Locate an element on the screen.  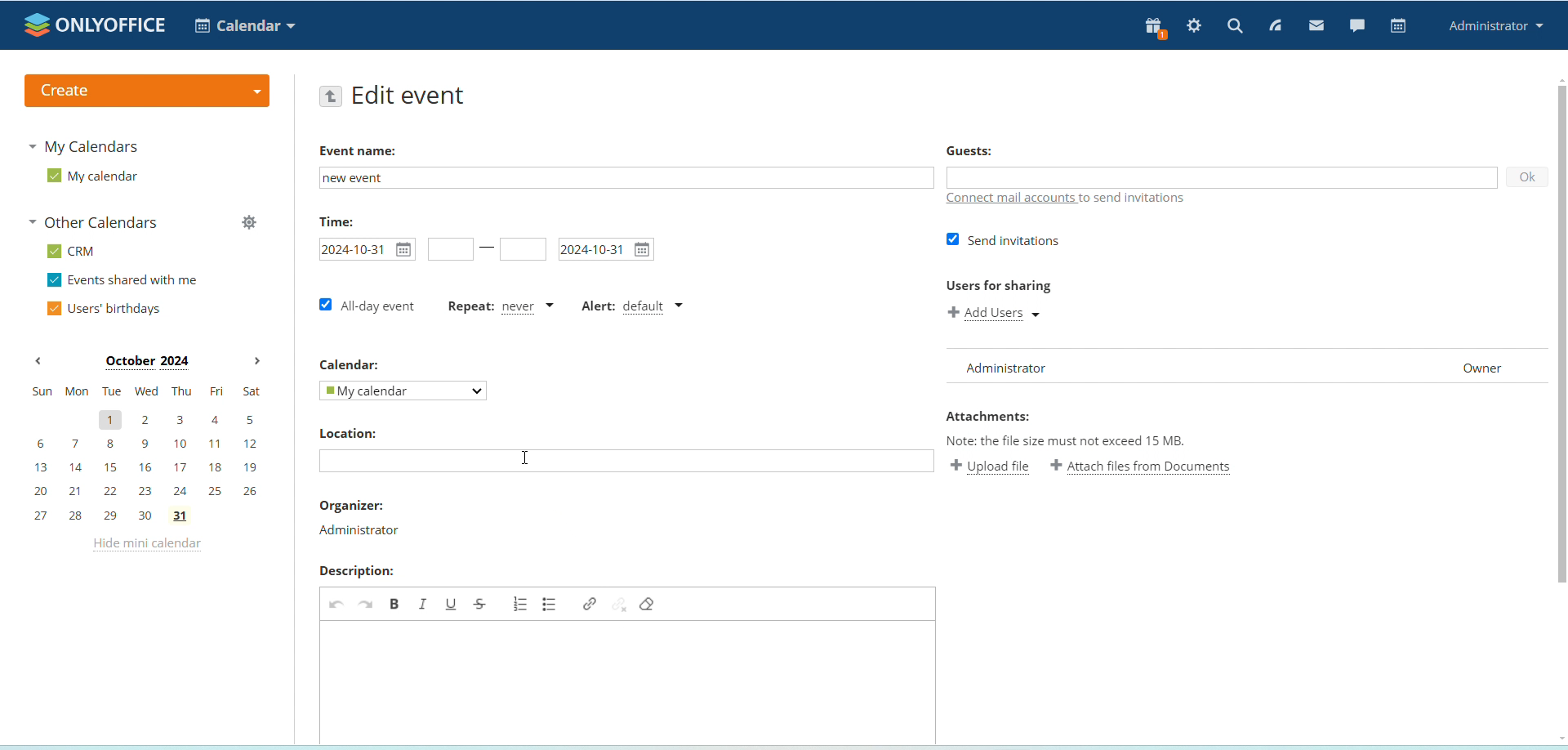
add users is located at coordinates (1000, 315).